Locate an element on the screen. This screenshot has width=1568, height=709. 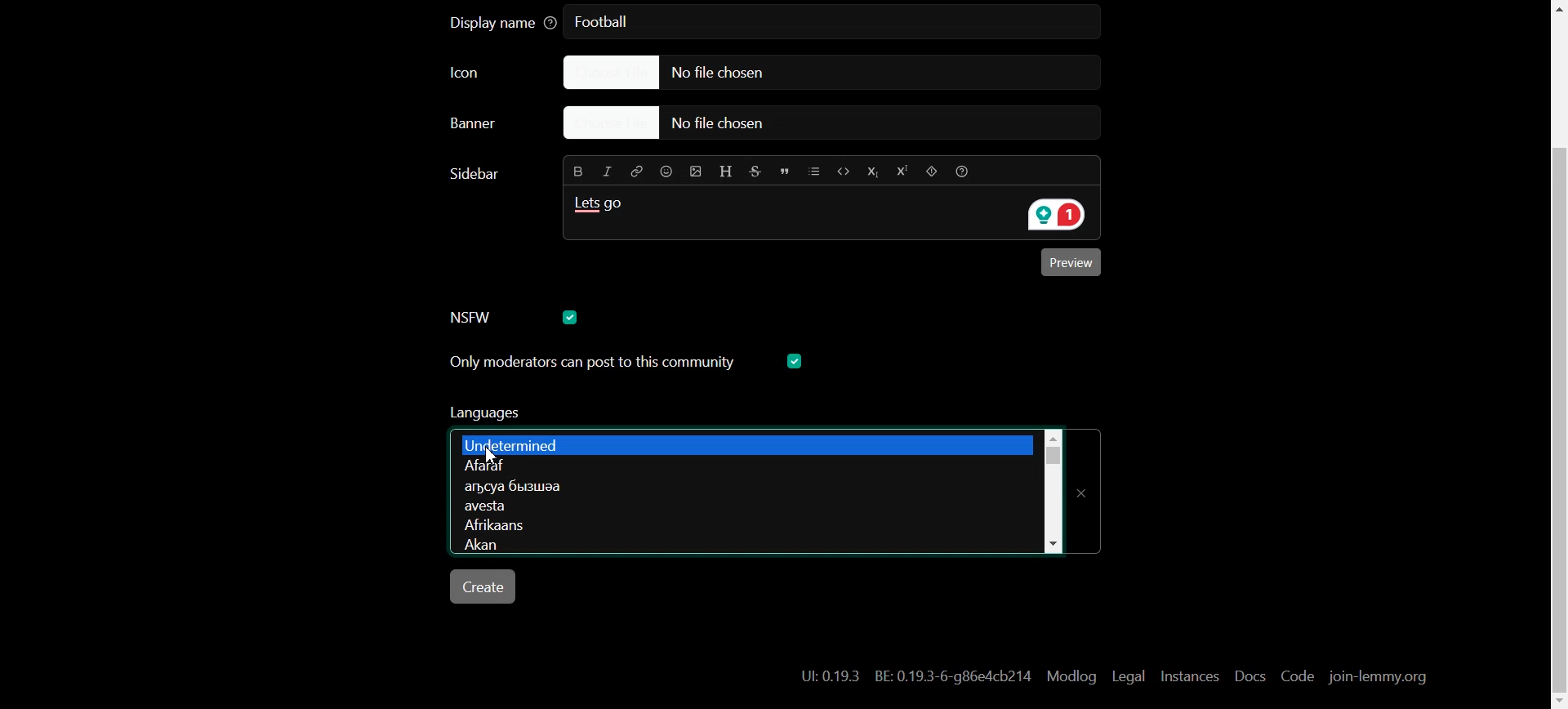
Cursor is located at coordinates (495, 455).